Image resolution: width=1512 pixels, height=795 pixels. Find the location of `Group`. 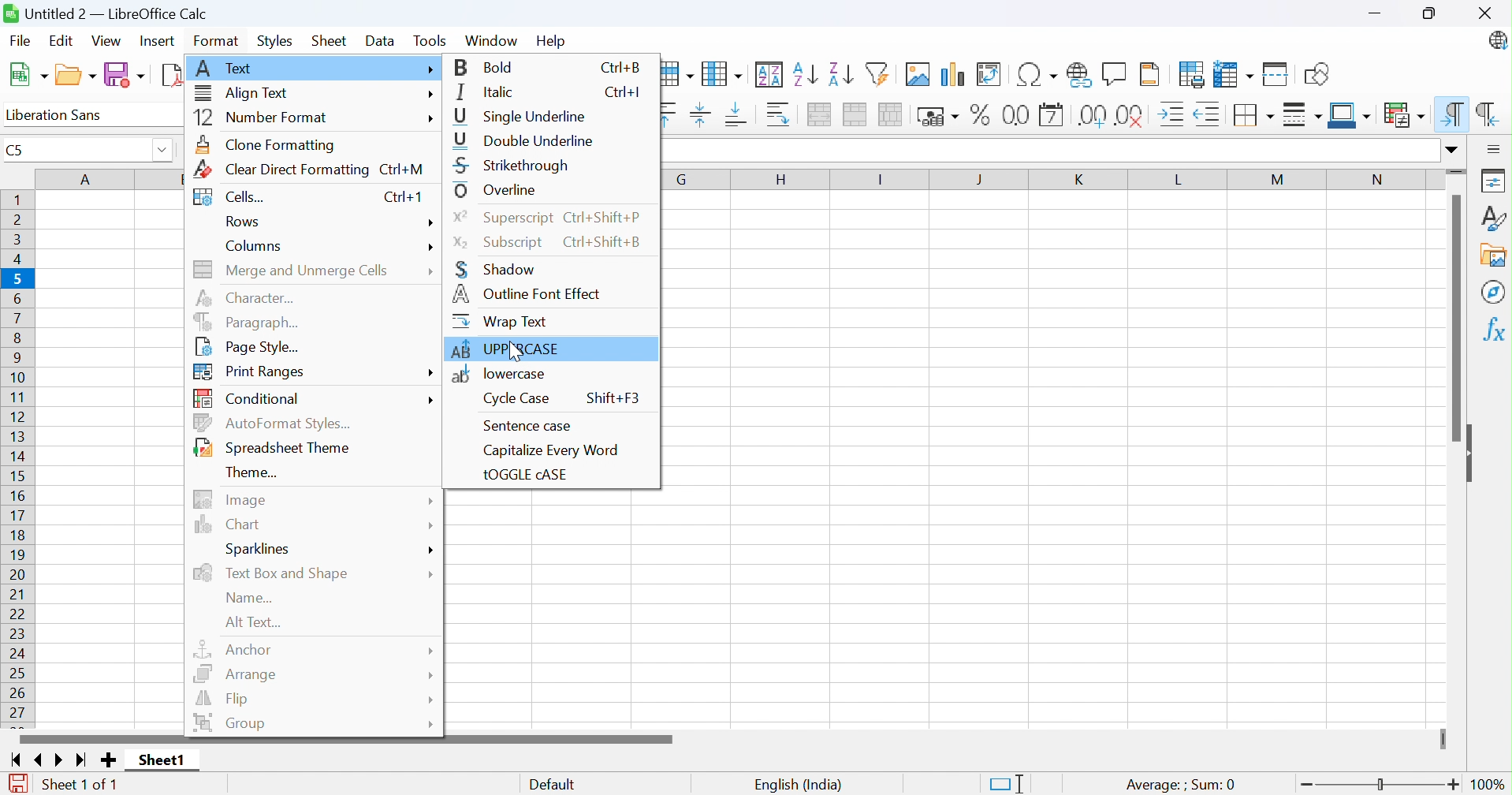

Group is located at coordinates (232, 722).